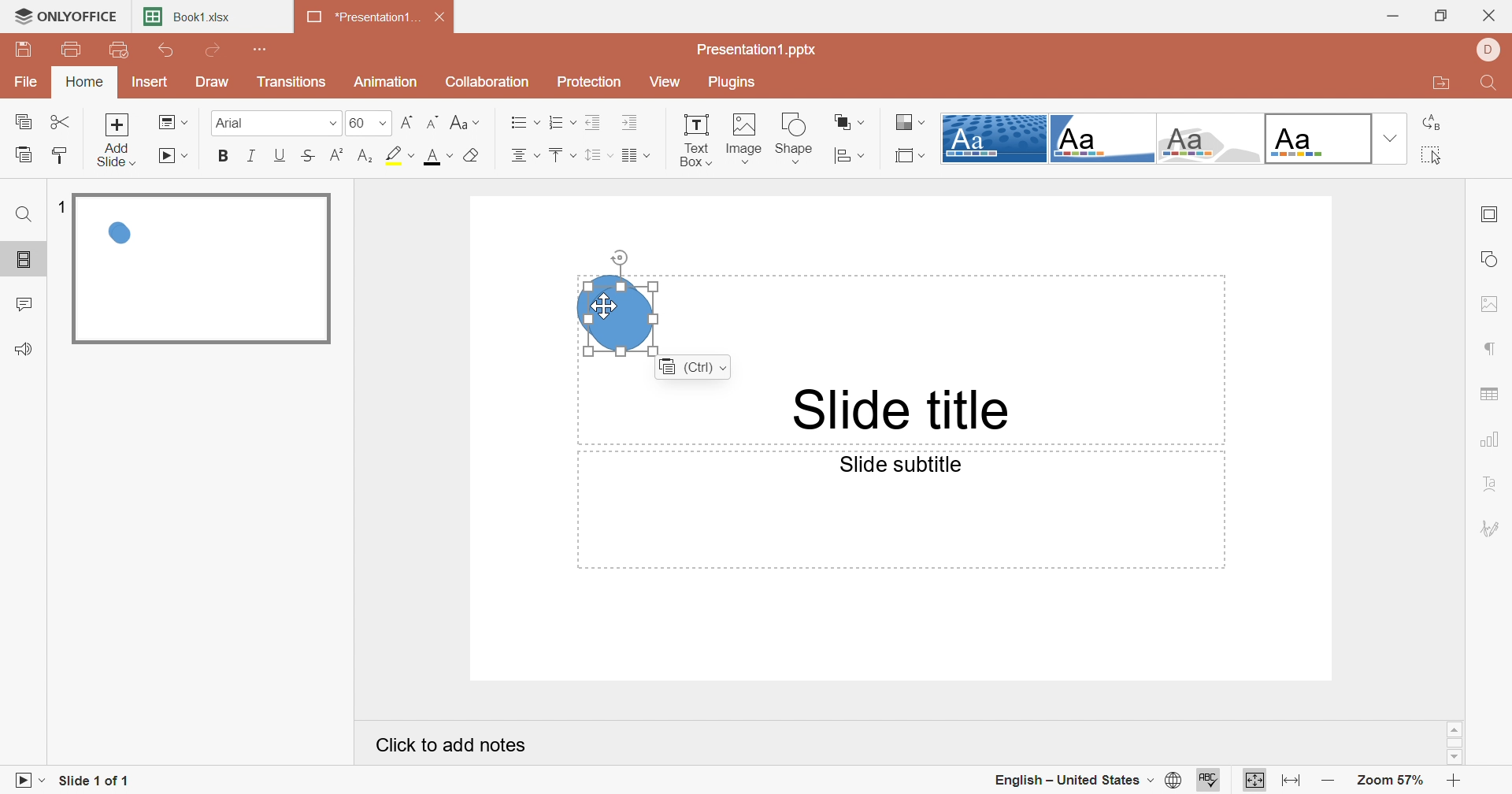 The width and height of the screenshot is (1512, 794). Describe the element at coordinates (632, 123) in the screenshot. I see `Increase indent` at that location.